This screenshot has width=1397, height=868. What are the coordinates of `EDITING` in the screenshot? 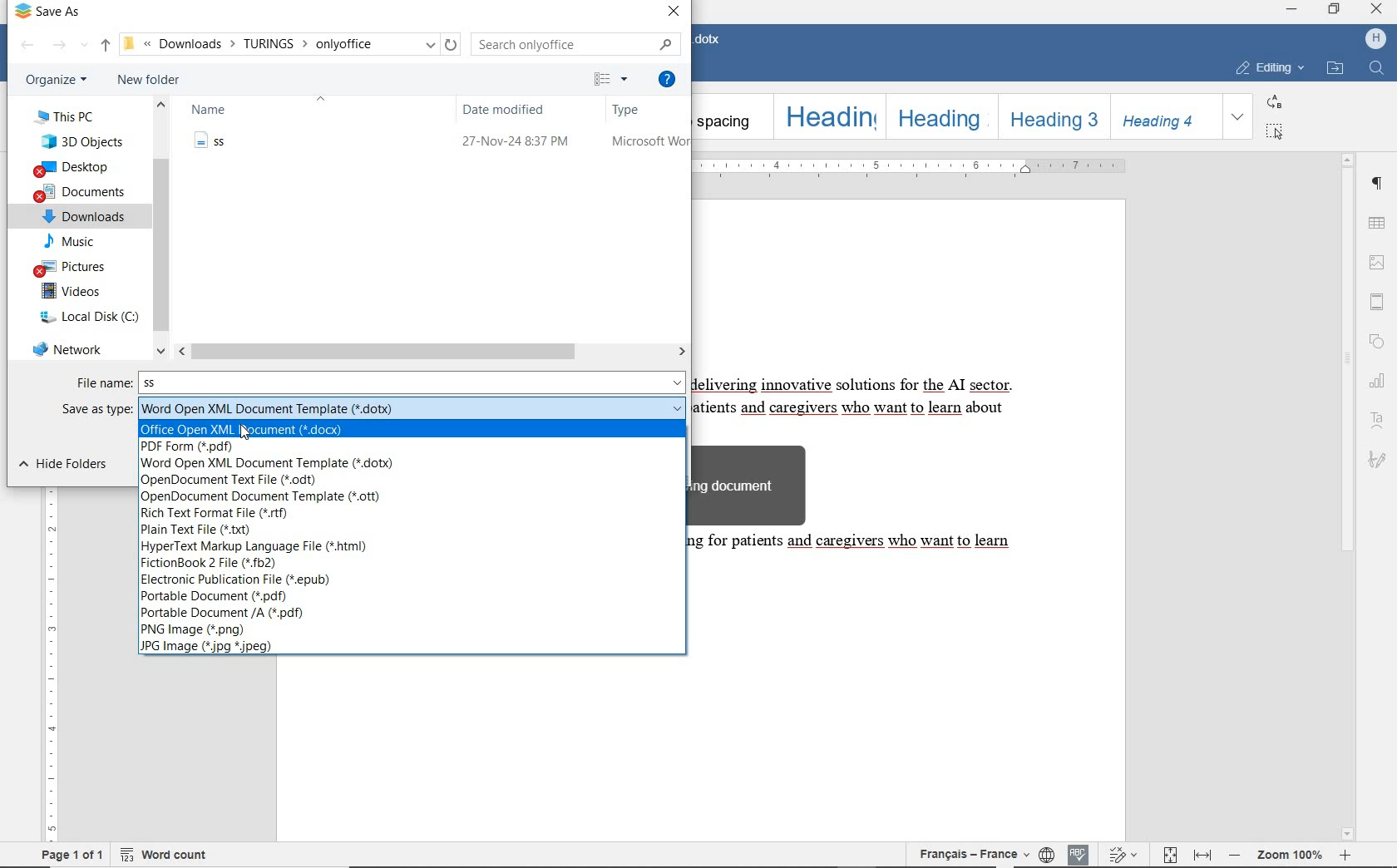 It's located at (1268, 66).